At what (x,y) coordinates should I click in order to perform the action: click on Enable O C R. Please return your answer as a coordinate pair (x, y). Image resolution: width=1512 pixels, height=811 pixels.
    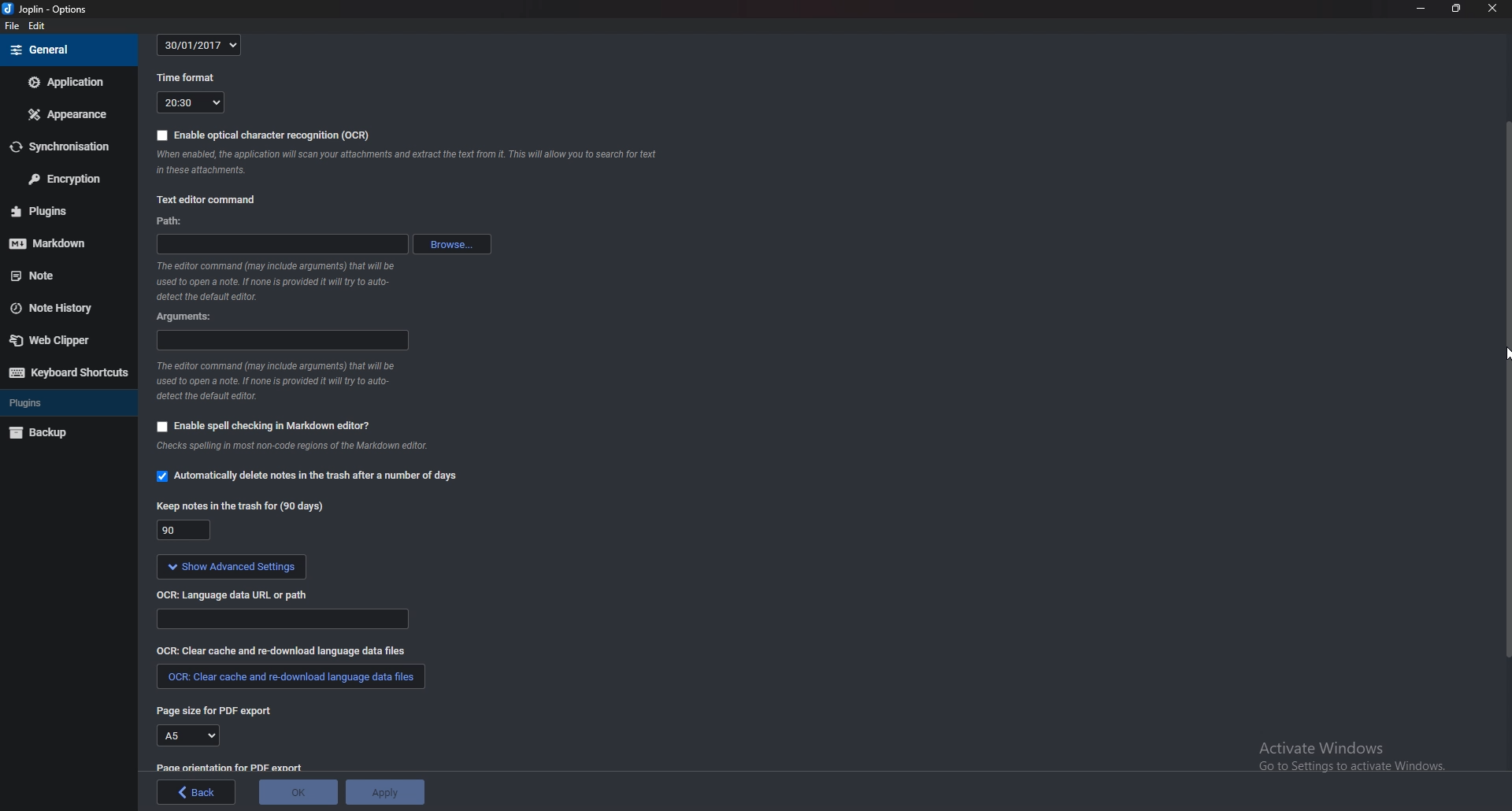
    Looking at the image, I should click on (261, 136).